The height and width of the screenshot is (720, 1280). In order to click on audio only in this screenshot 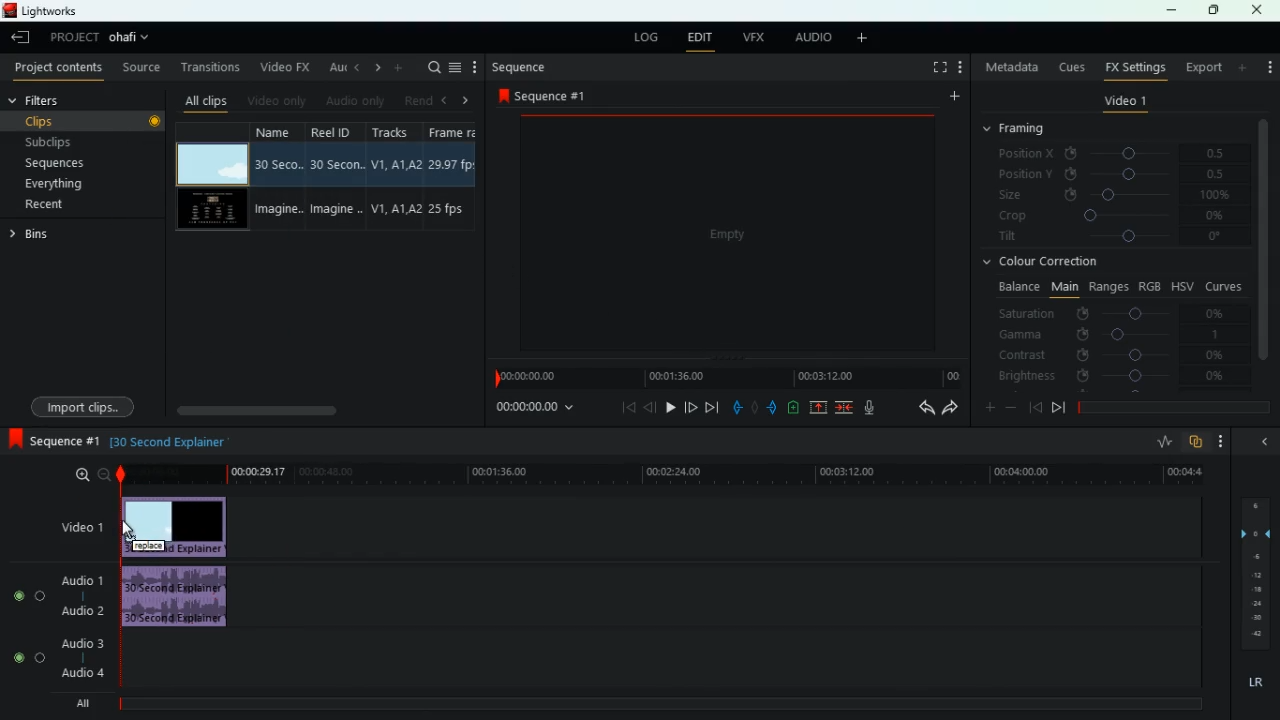, I will do `click(354, 102)`.